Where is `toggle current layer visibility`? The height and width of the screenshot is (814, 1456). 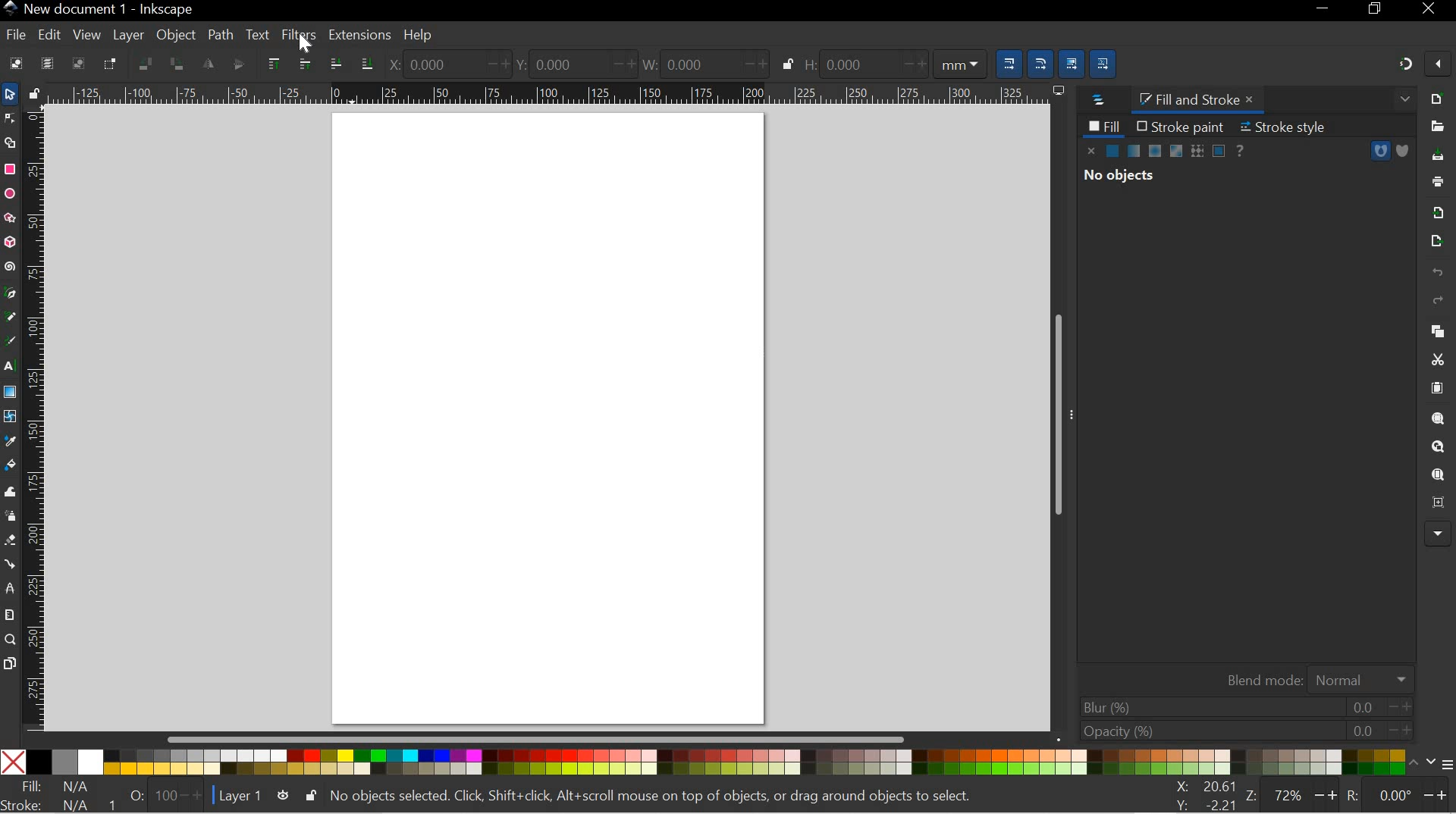
toggle current layer visibility is located at coordinates (283, 795).